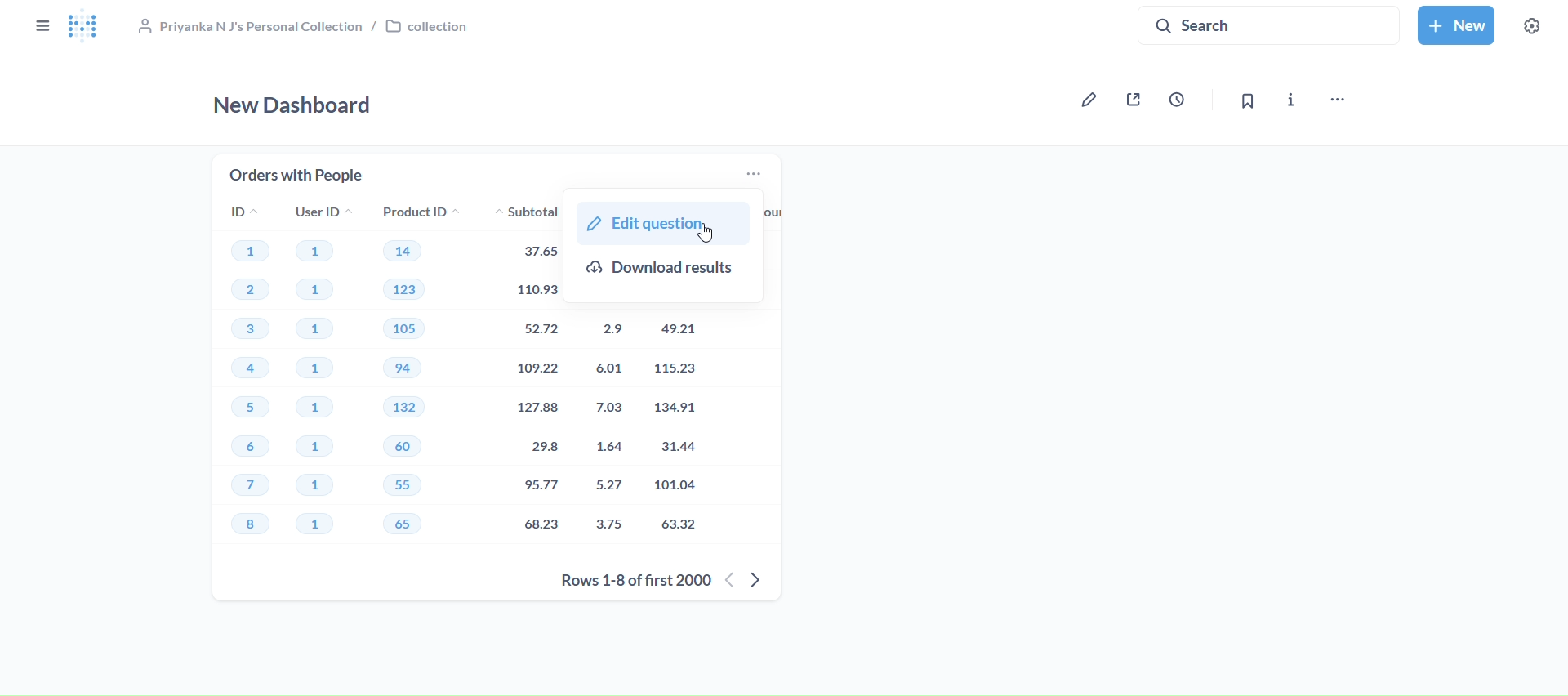  What do you see at coordinates (1269, 24) in the screenshot?
I see `search` at bounding box center [1269, 24].